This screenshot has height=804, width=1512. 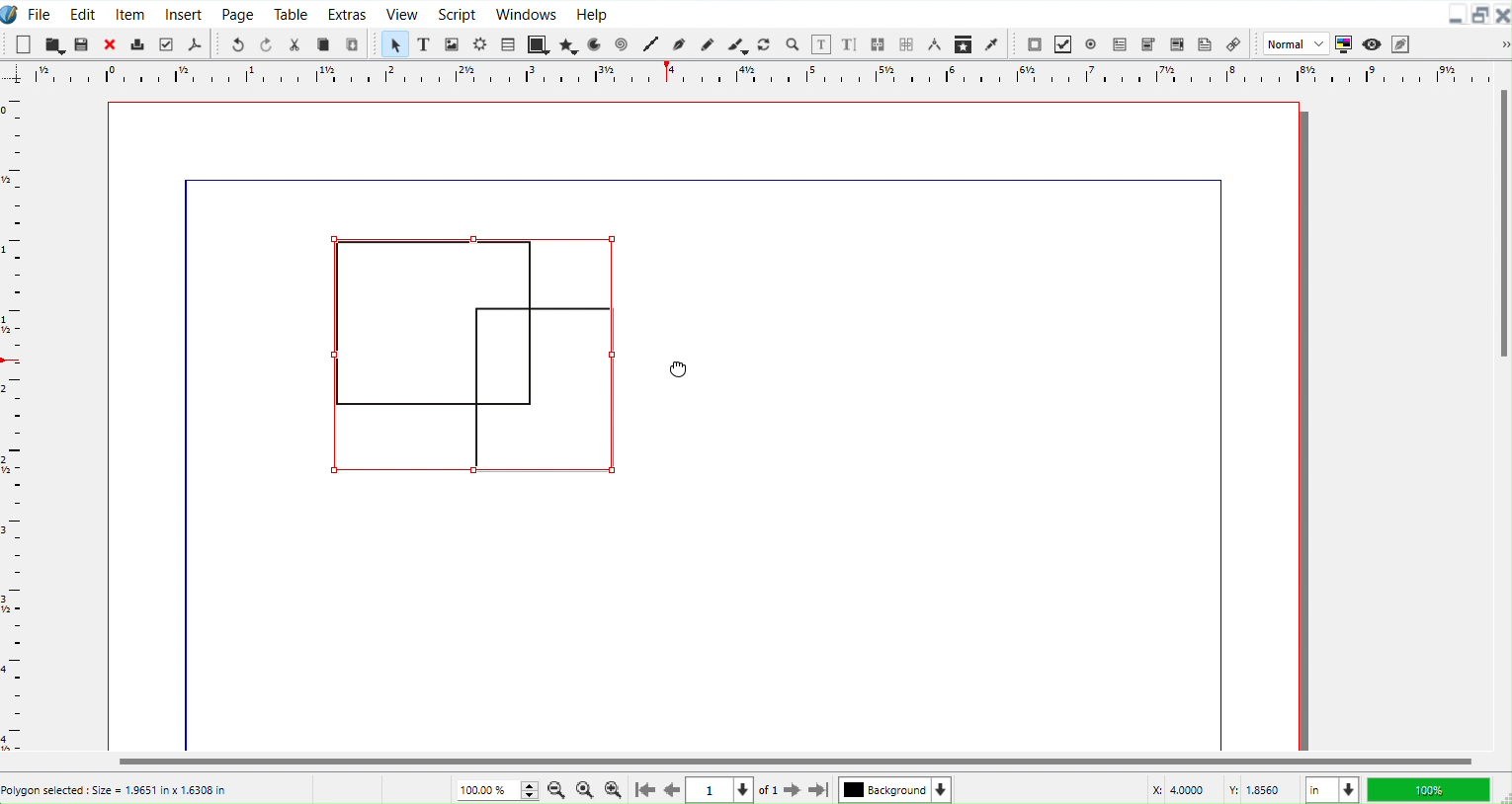 I want to click on Select current layer, so click(x=895, y=789).